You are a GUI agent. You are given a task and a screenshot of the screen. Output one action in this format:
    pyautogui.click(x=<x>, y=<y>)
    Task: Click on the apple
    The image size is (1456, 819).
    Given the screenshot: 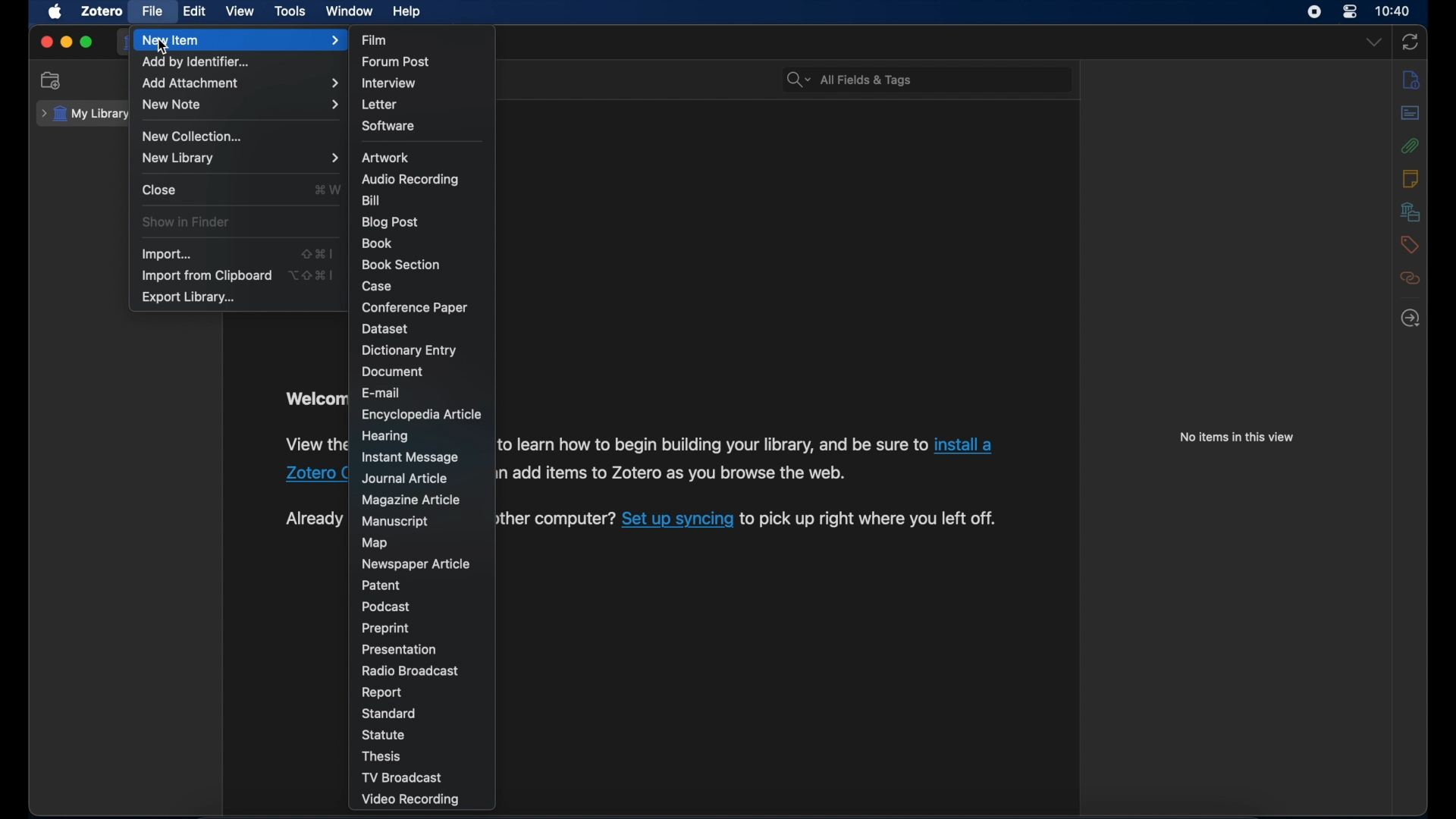 What is the action you would take?
    pyautogui.click(x=55, y=12)
    